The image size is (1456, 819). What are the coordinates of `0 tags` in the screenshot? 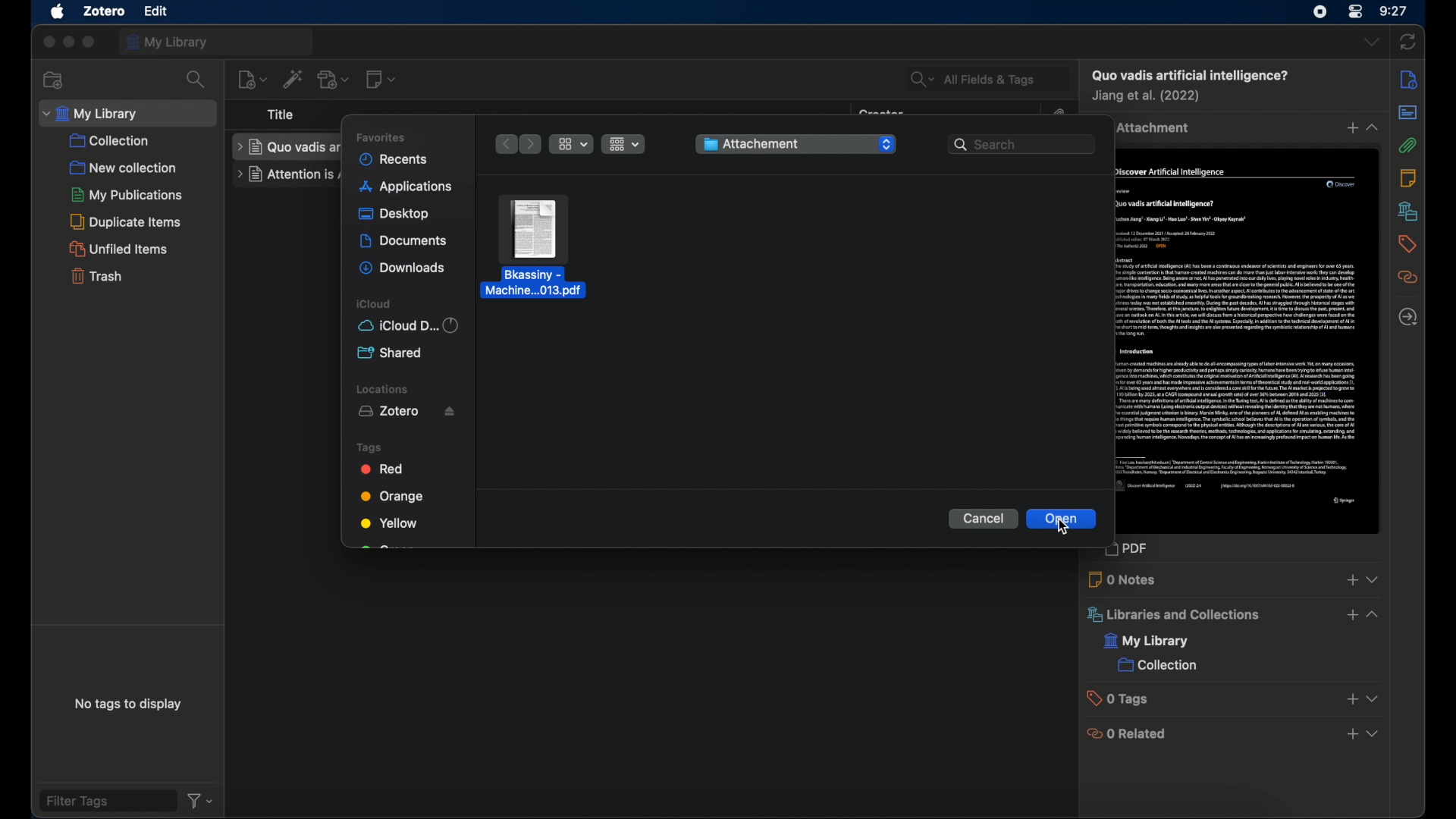 It's located at (1122, 698).